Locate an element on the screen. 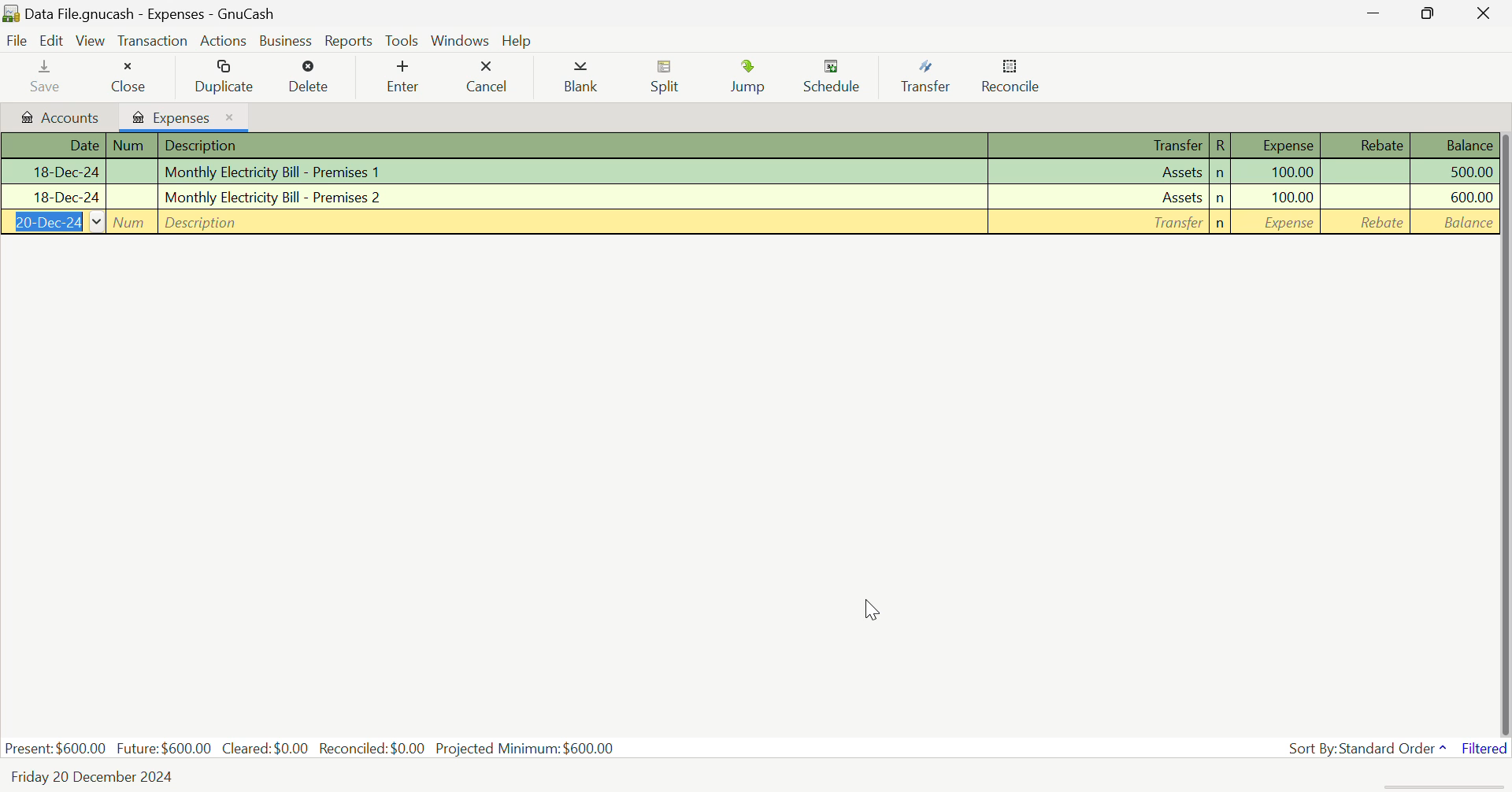 The image size is (1512, 792). Expense is located at coordinates (1277, 146).